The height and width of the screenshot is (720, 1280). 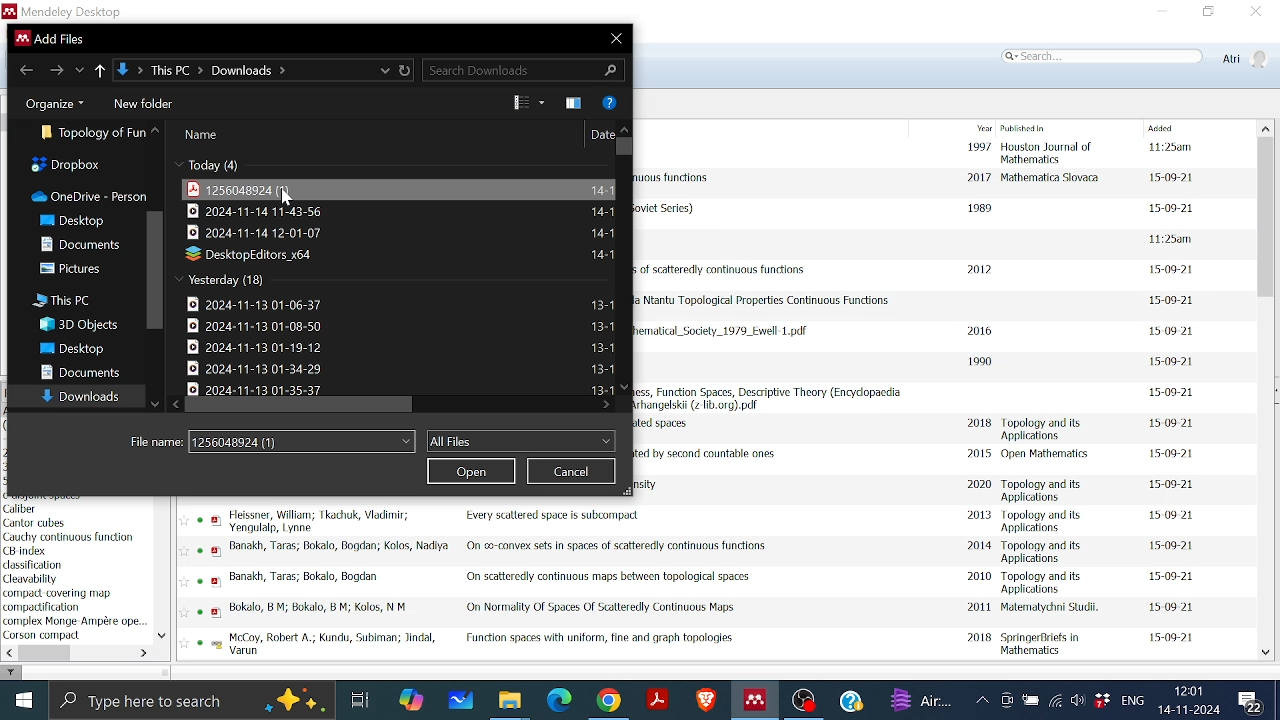 I want to click on Go to next folder, so click(x=55, y=69).